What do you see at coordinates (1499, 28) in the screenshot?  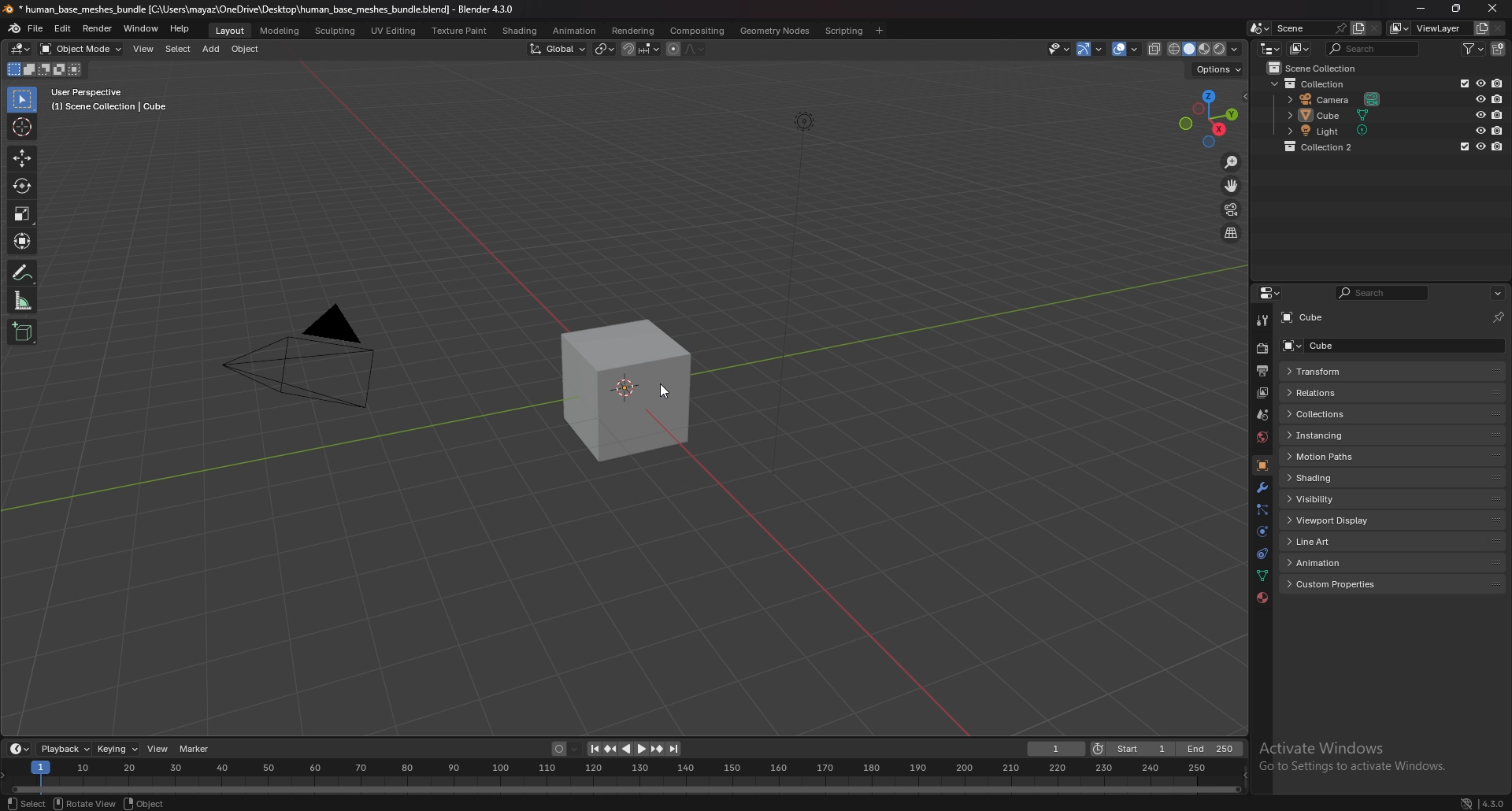 I see `remove view layer` at bounding box center [1499, 28].